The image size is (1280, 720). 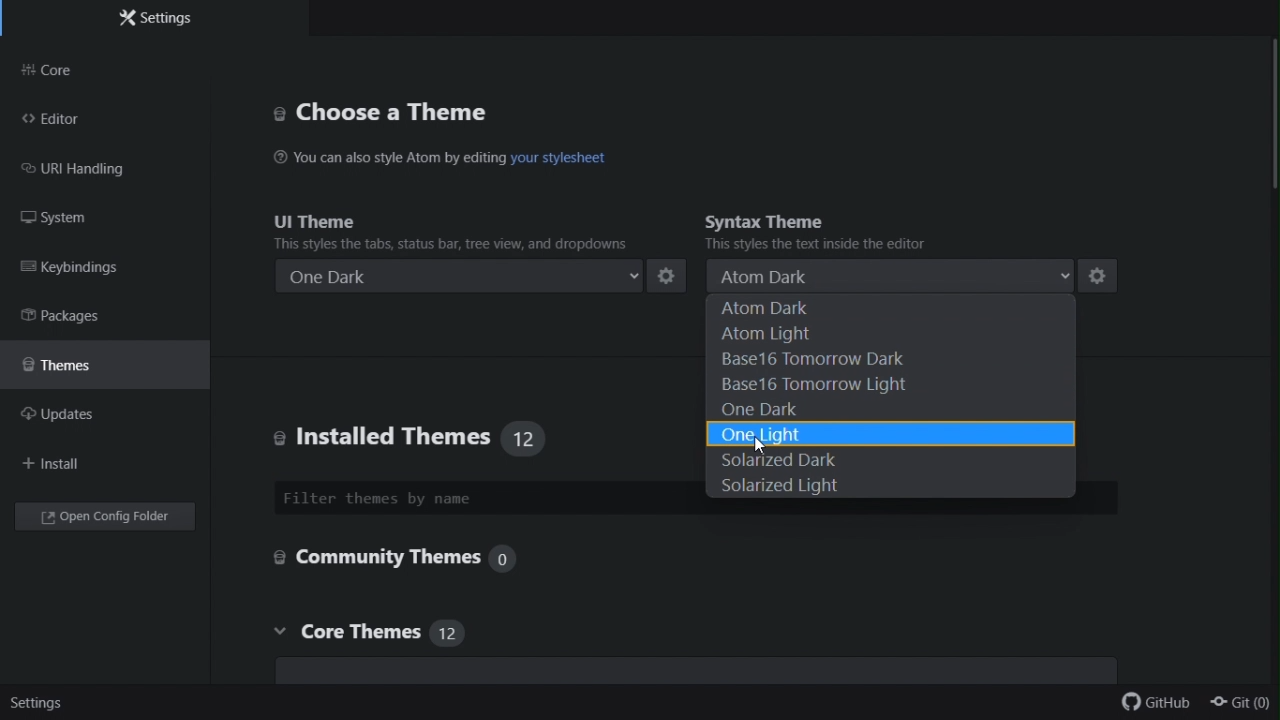 I want to click on Settings, so click(x=39, y=703).